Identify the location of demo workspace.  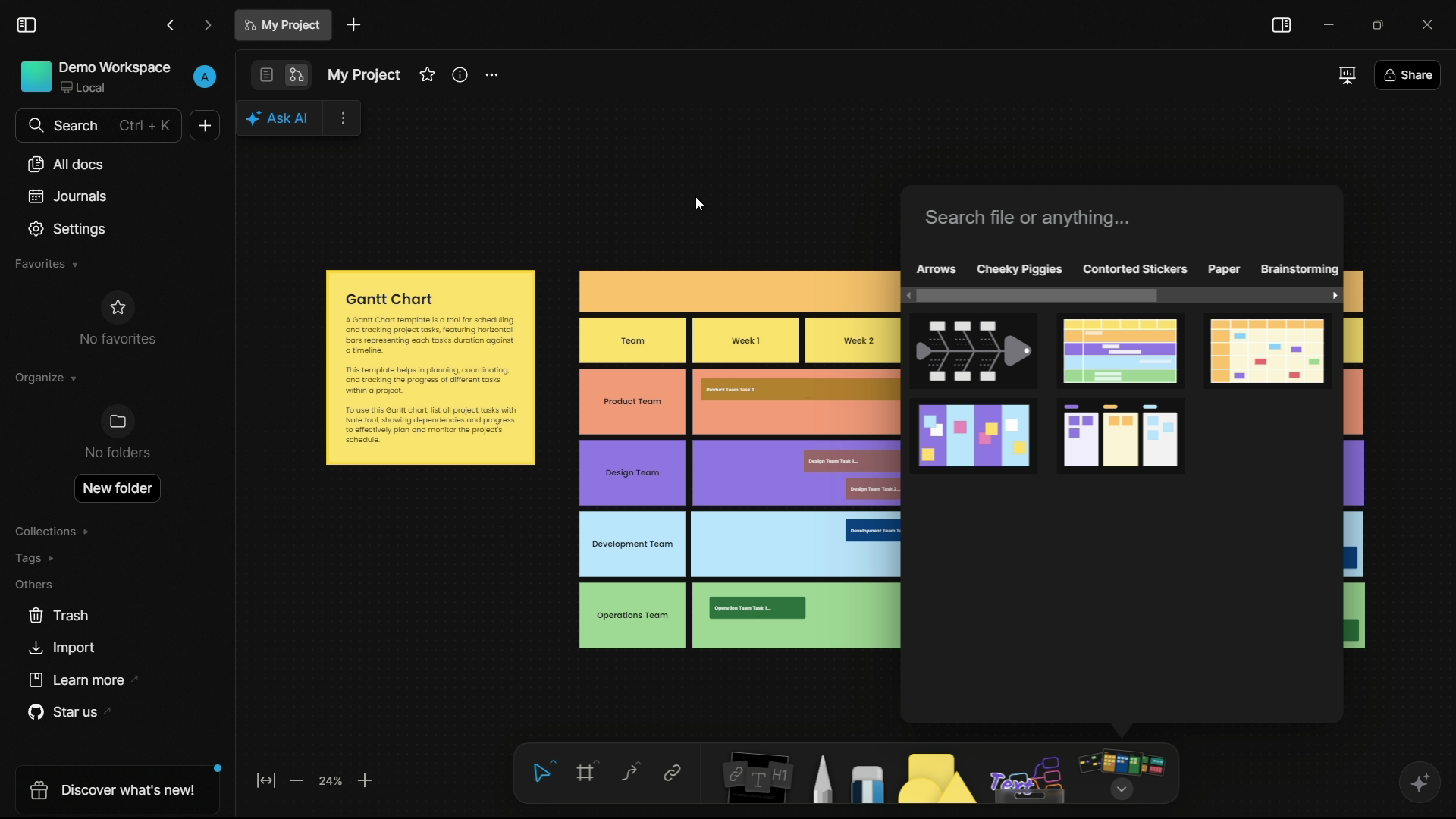
(96, 78).